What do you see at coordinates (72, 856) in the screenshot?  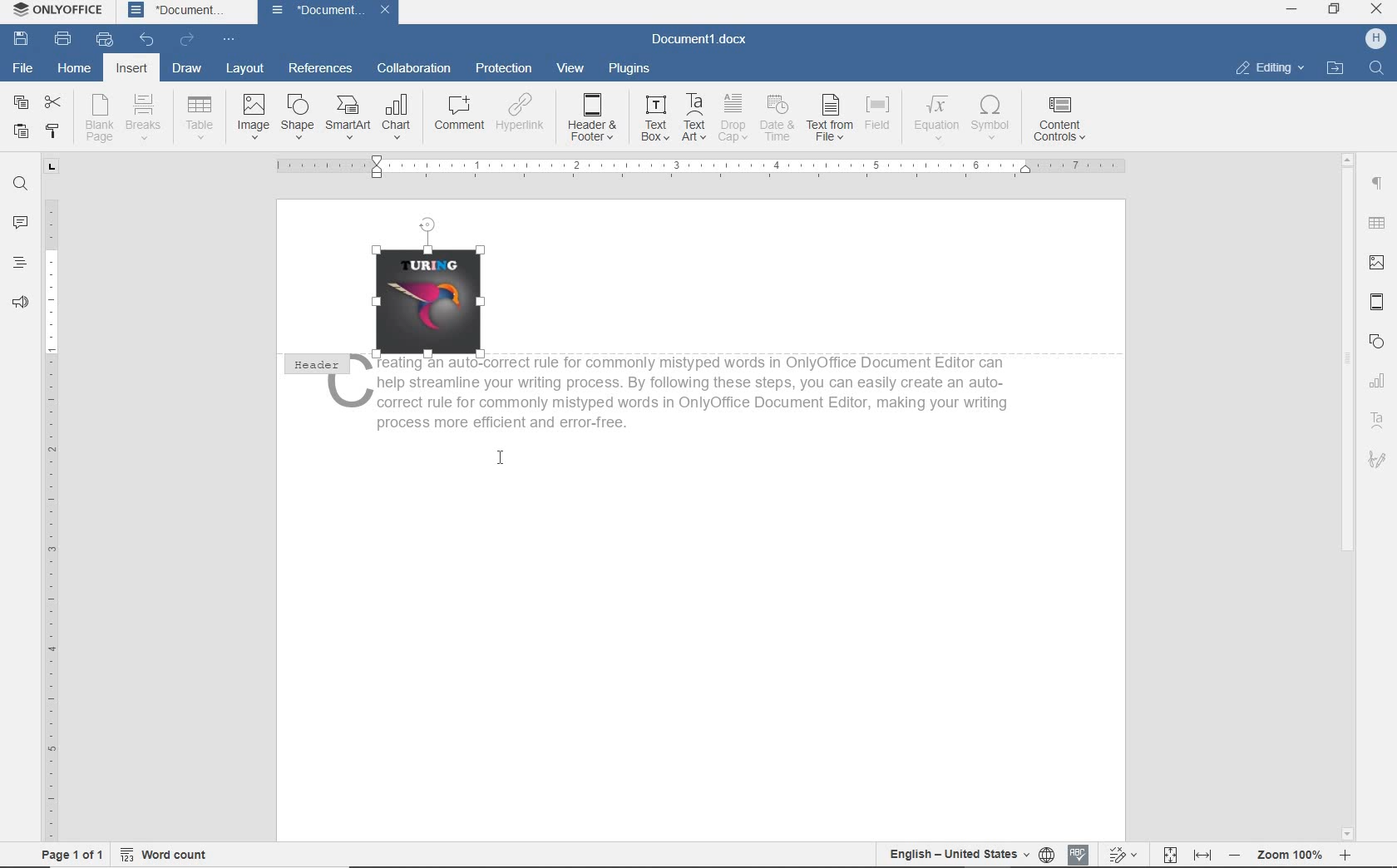 I see `page 1 of 1` at bounding box center [72, 856].